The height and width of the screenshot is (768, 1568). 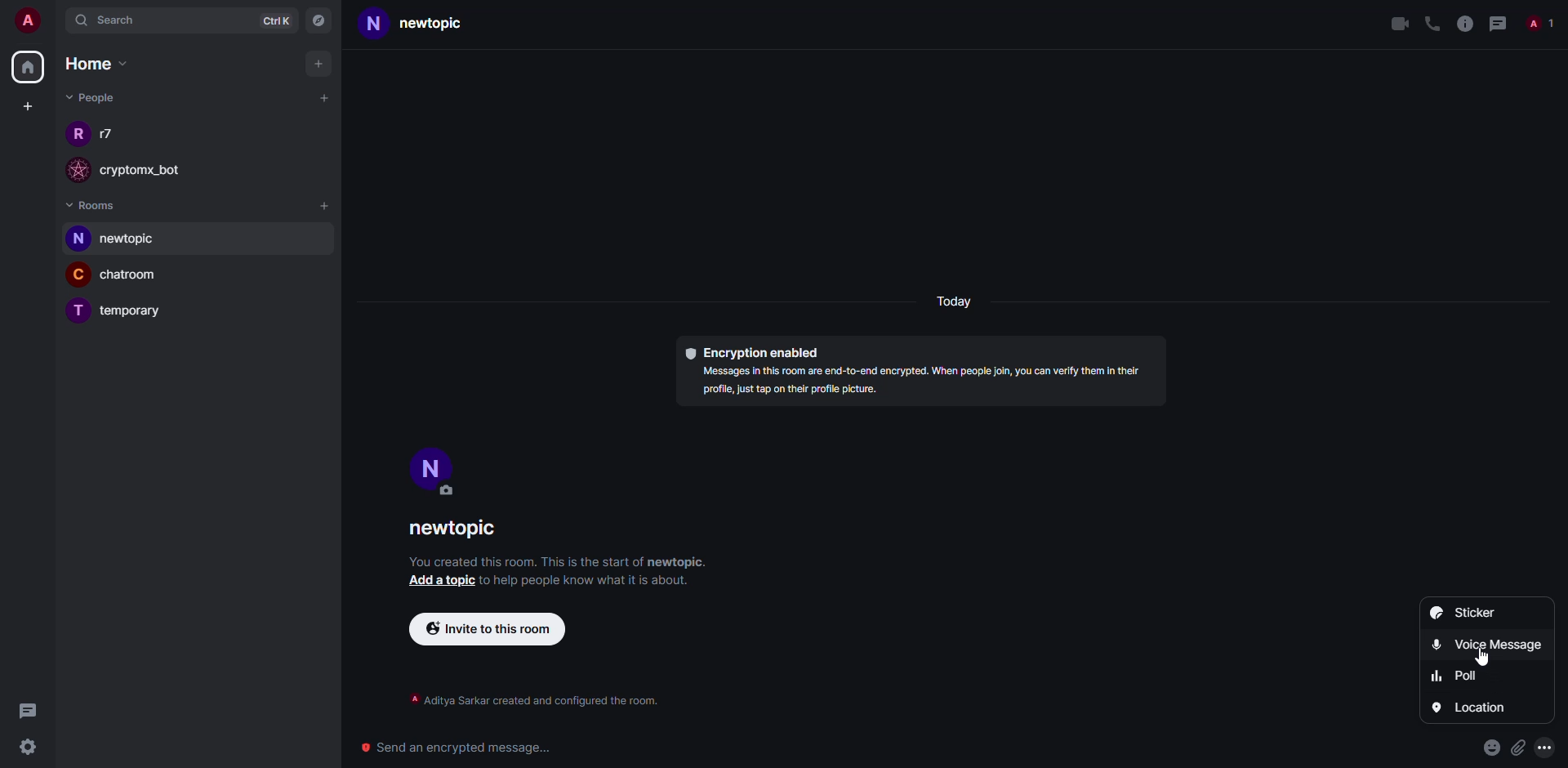 What do you see at coordinates (27, 710) in the screenshot?
I see `threads` at bounding box center [27, 710].